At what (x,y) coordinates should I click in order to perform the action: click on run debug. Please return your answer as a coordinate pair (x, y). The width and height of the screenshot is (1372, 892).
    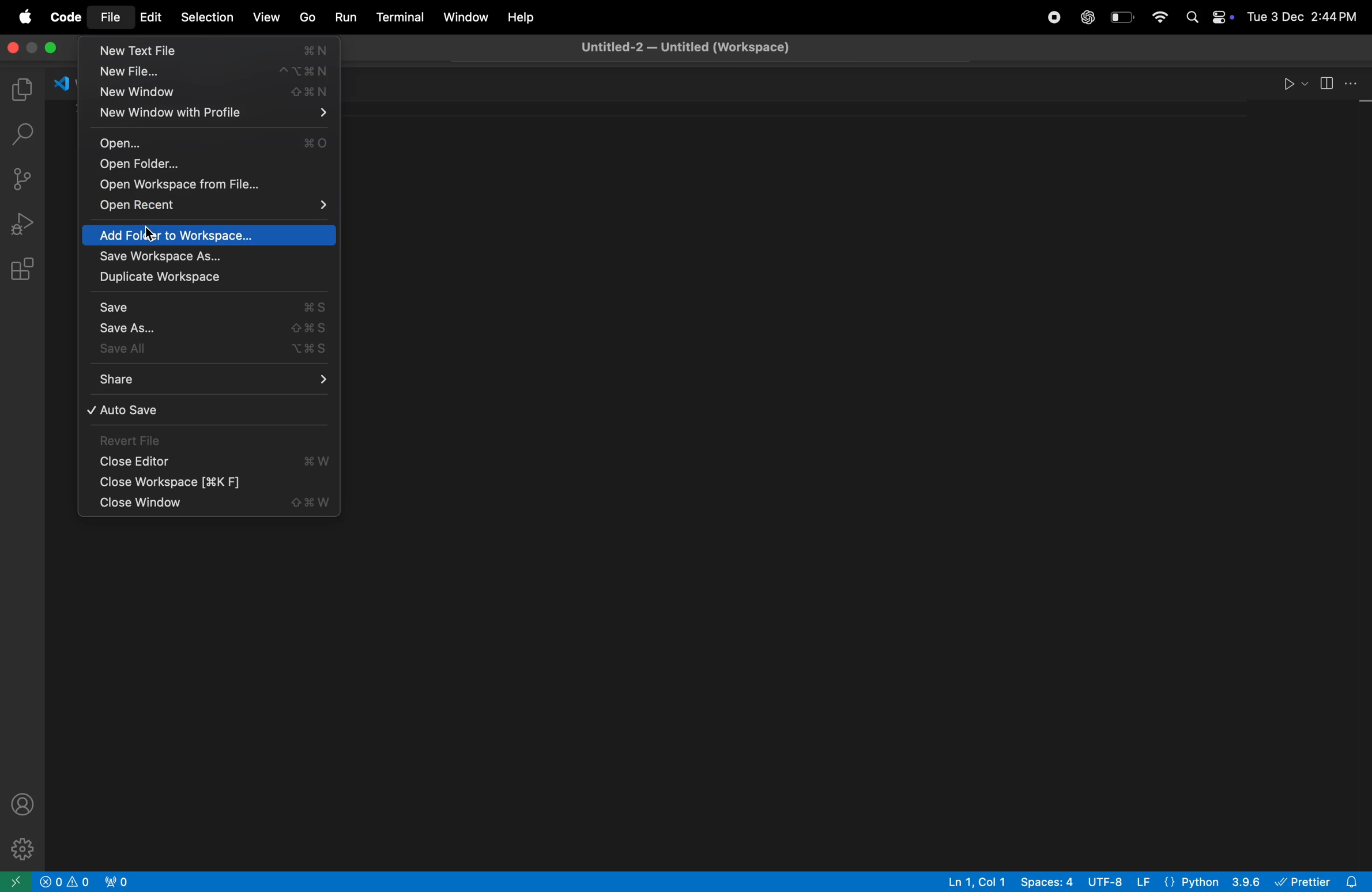
    Looking at the image, I should click on (24, 220).